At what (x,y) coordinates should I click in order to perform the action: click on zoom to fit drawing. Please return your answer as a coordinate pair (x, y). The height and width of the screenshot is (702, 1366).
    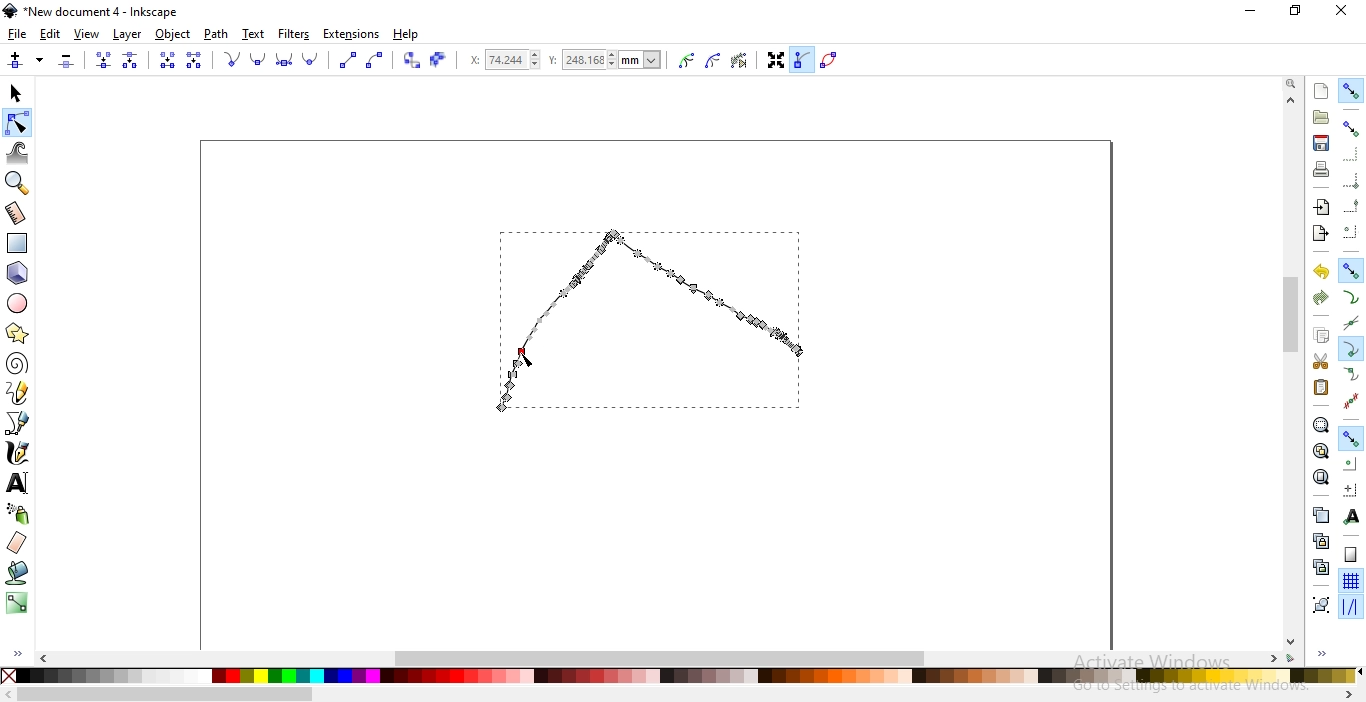
    Looking at the image, I should click on (1320, 449).